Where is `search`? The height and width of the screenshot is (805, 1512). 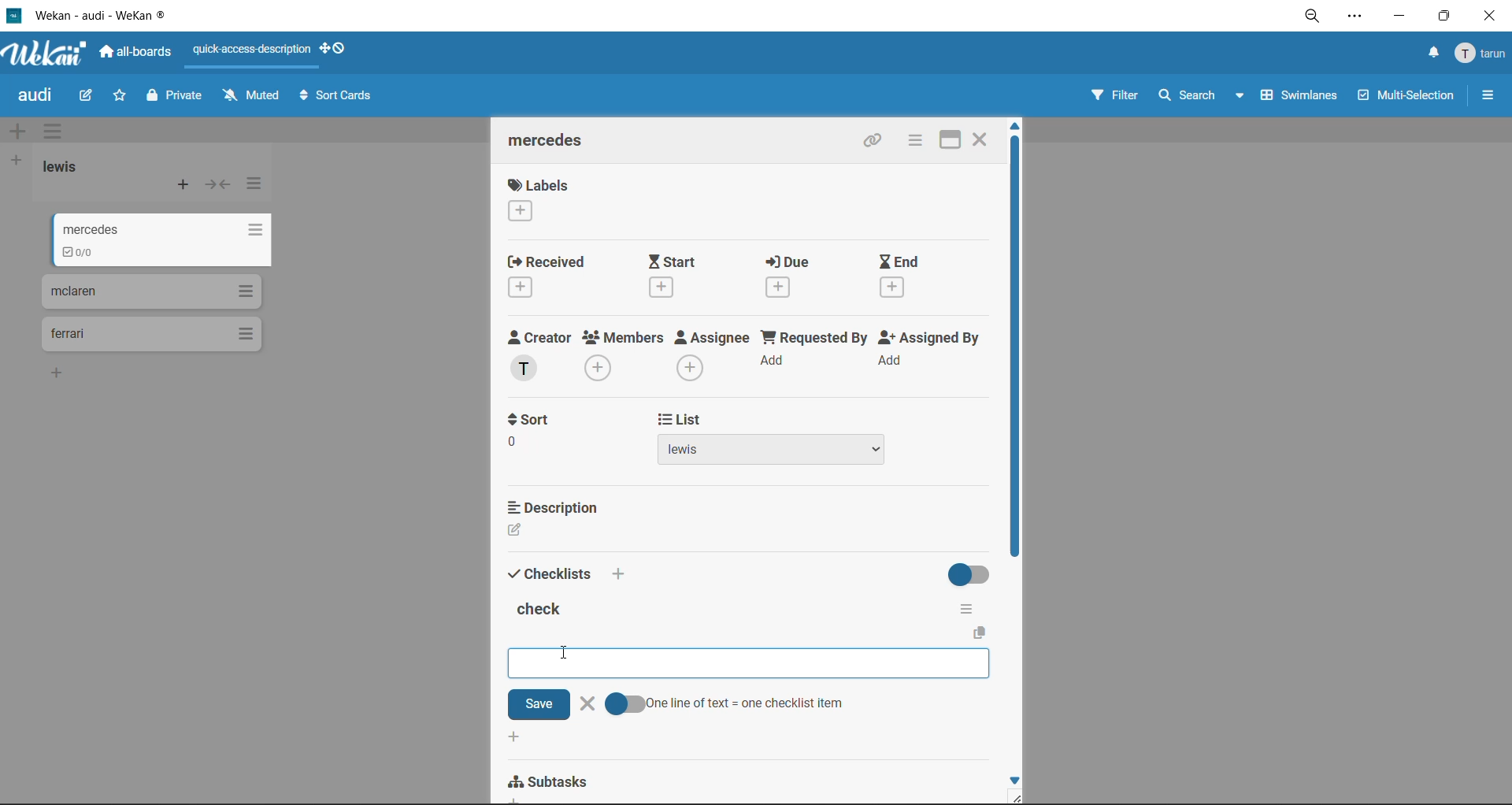
search is located at coordinates (1196, 96).